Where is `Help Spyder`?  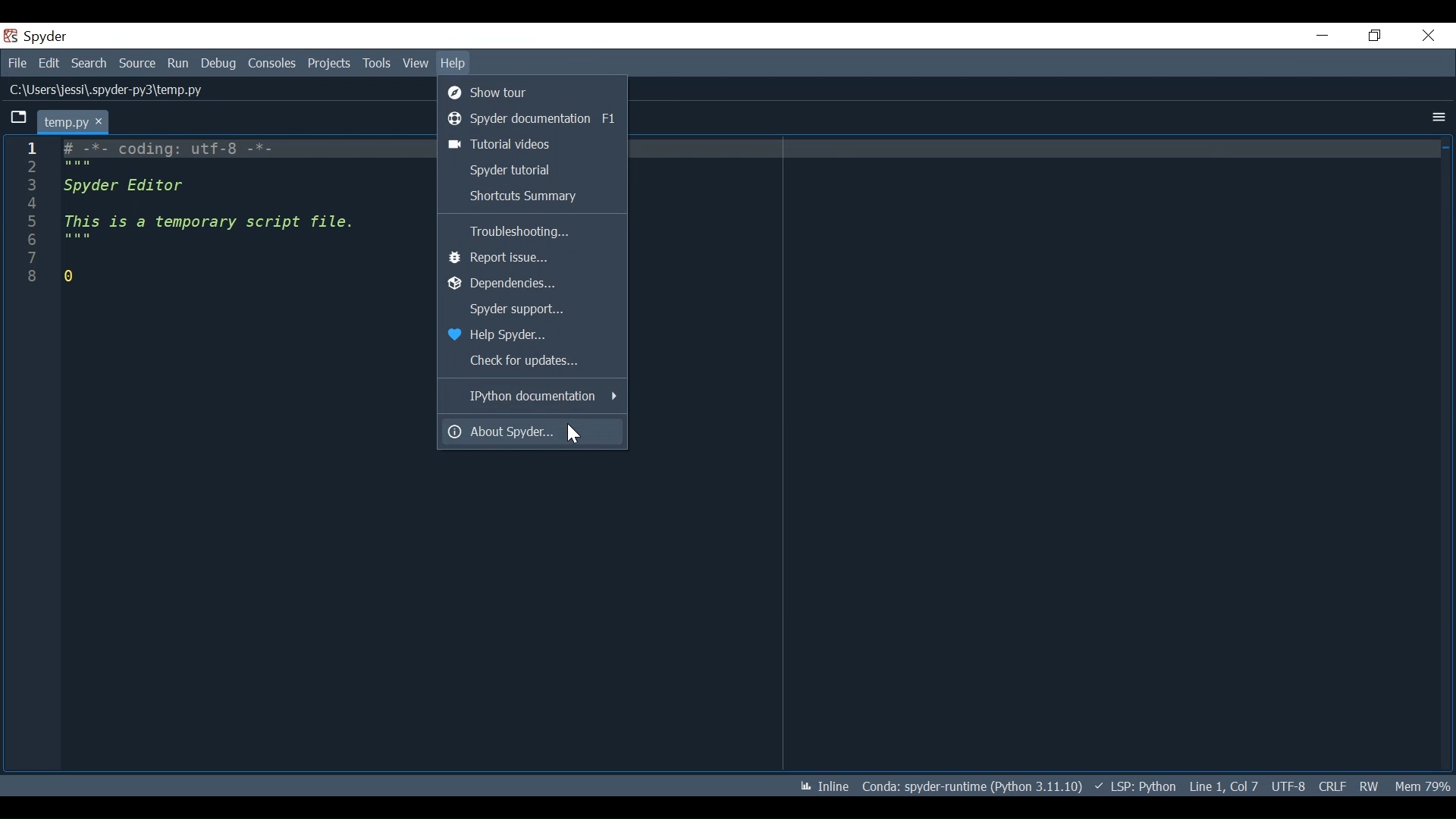 Help Spyder is located at coordinates (532, 336).